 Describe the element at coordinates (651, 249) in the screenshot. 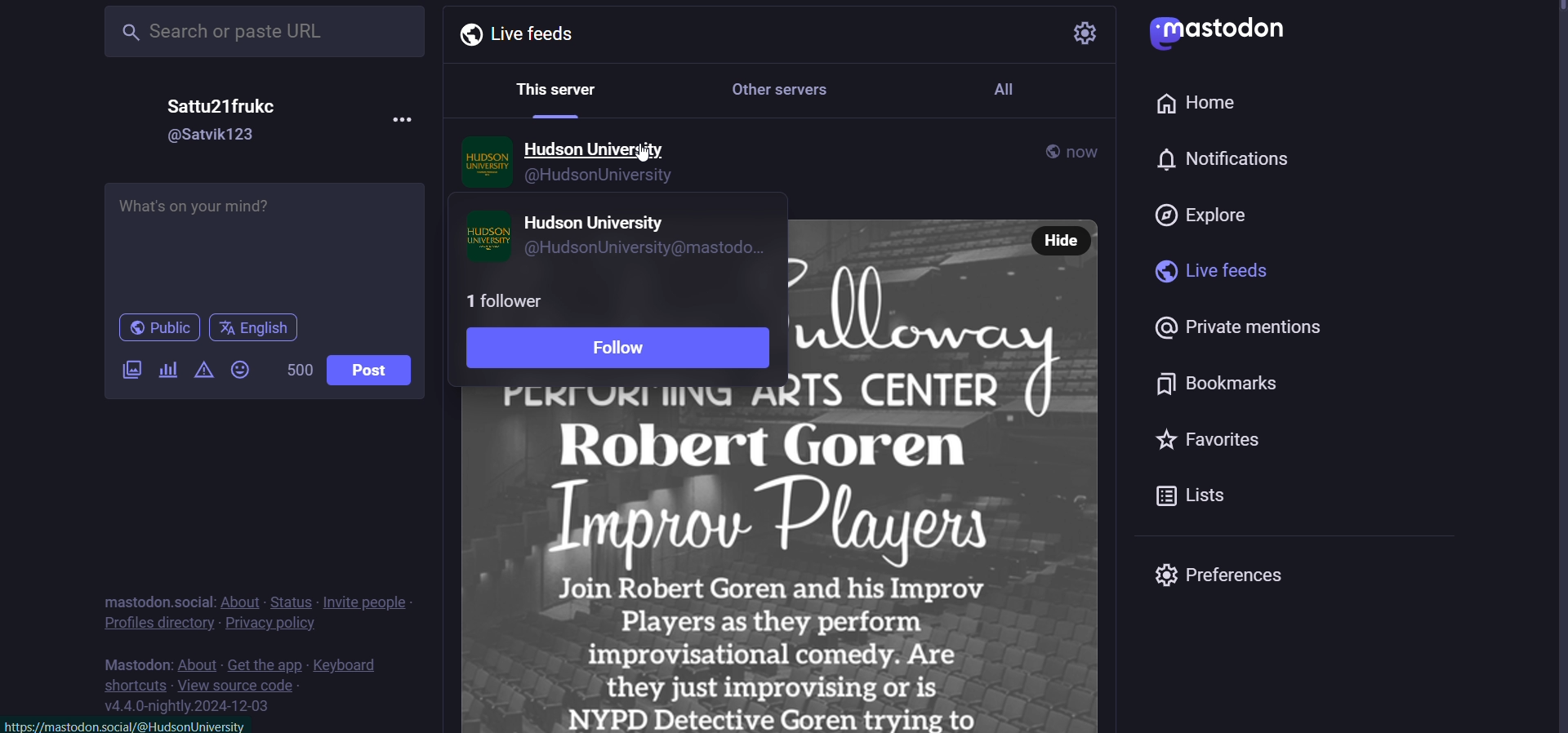

I see `@HudsonUniversity@mastodo...` at that location.